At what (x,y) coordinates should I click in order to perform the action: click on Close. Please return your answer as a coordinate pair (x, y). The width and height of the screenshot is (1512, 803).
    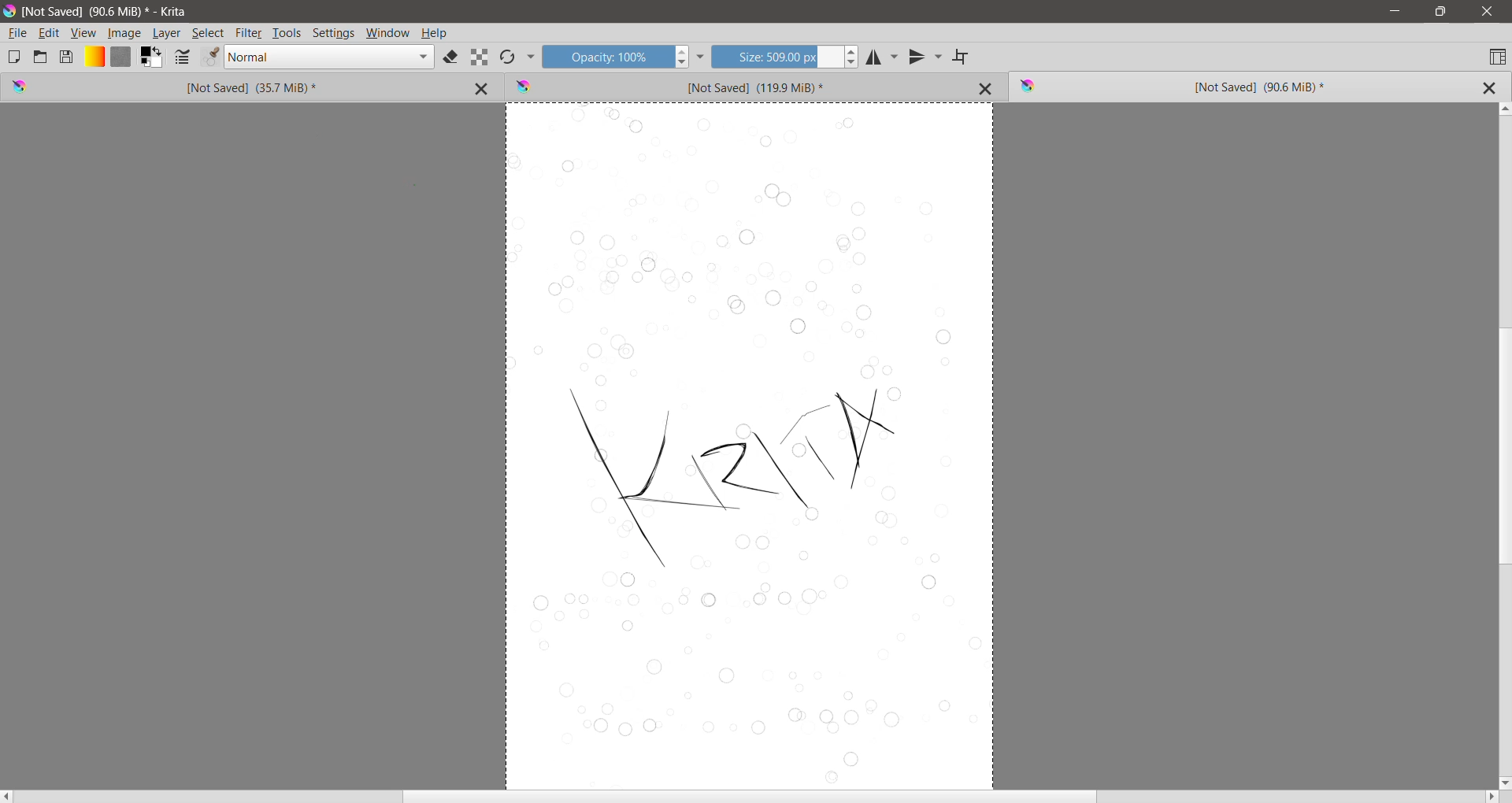
    Looking at the image, I should click on (1488, 12).